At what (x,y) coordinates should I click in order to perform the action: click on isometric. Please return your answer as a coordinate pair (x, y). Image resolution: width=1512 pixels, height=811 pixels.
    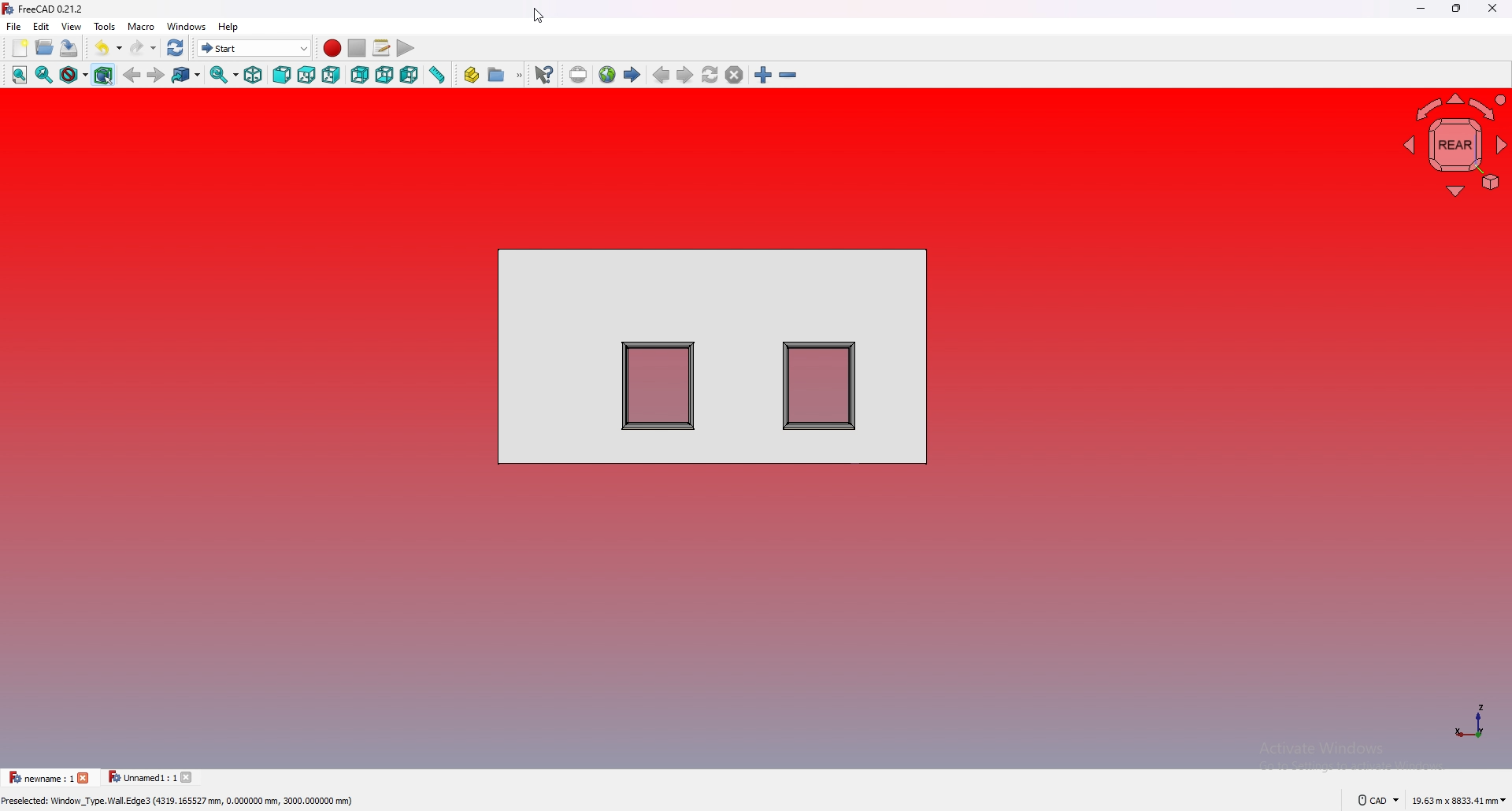
    Looking at the image, I should click on (253, 75).